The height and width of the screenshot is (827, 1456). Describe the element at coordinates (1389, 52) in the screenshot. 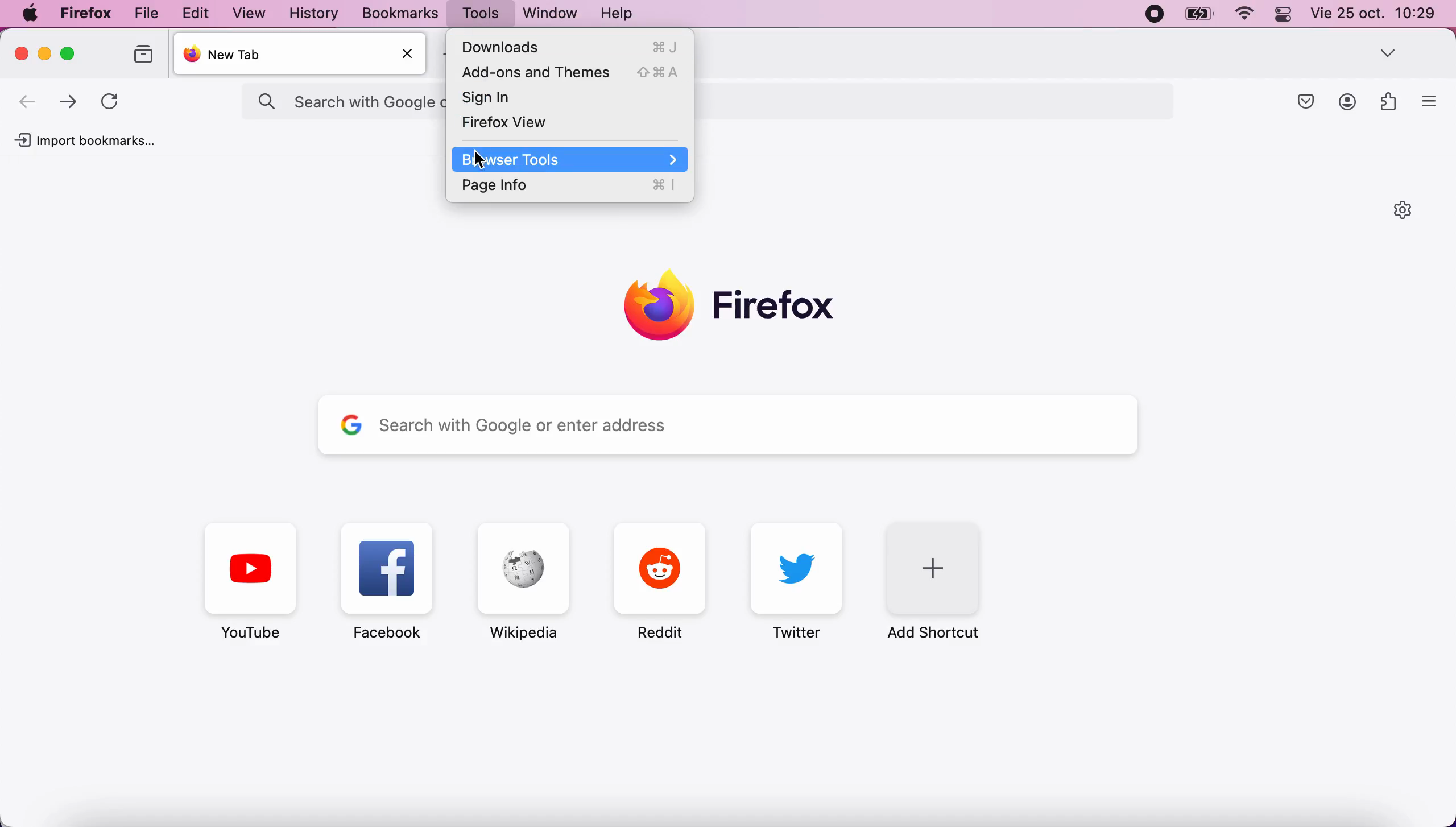

I see `Dropdown box` at that location.